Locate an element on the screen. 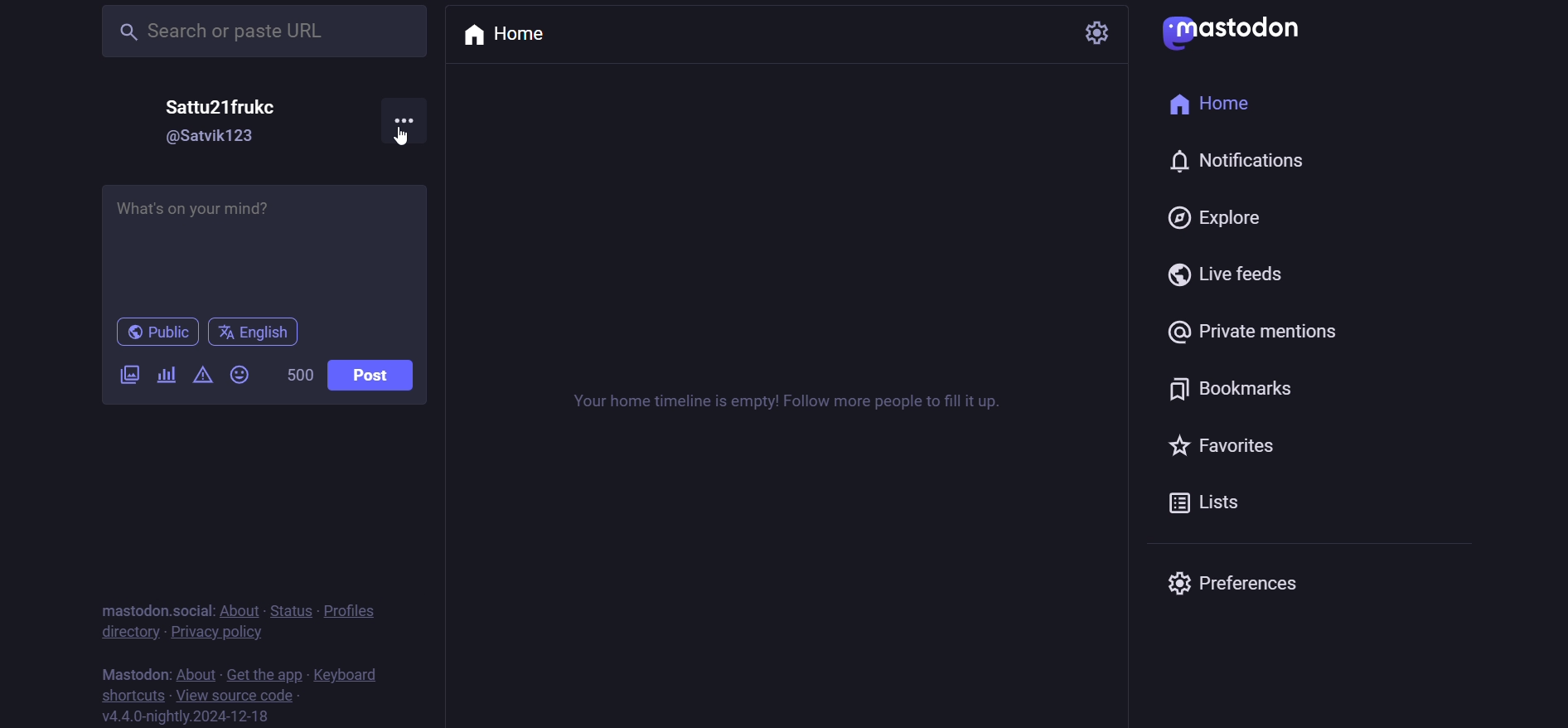 The image size is (1568, 728). notification is located at coordinates (1241, 160).